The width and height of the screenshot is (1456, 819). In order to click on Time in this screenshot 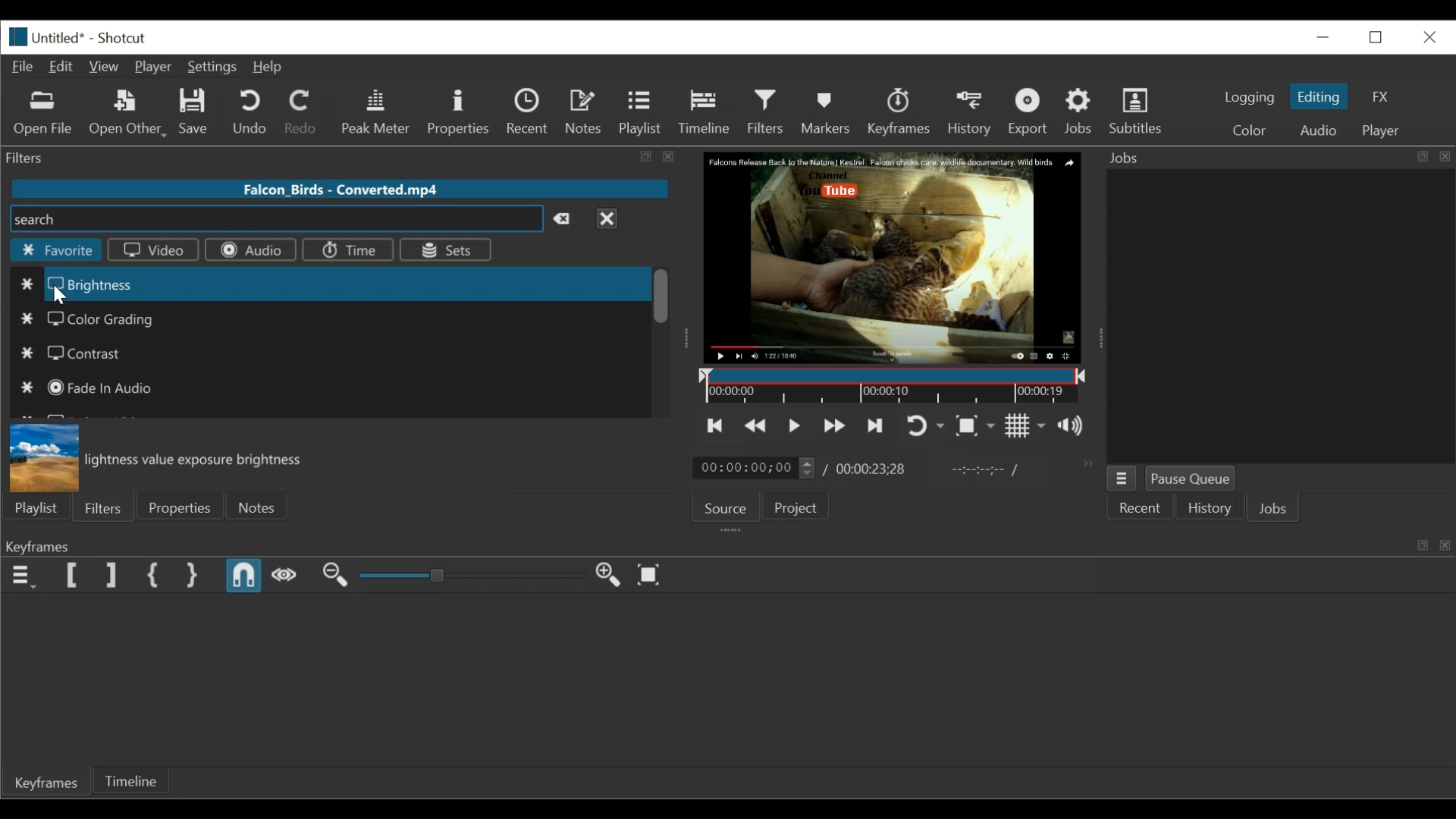, I will do `click(347, 249)`.